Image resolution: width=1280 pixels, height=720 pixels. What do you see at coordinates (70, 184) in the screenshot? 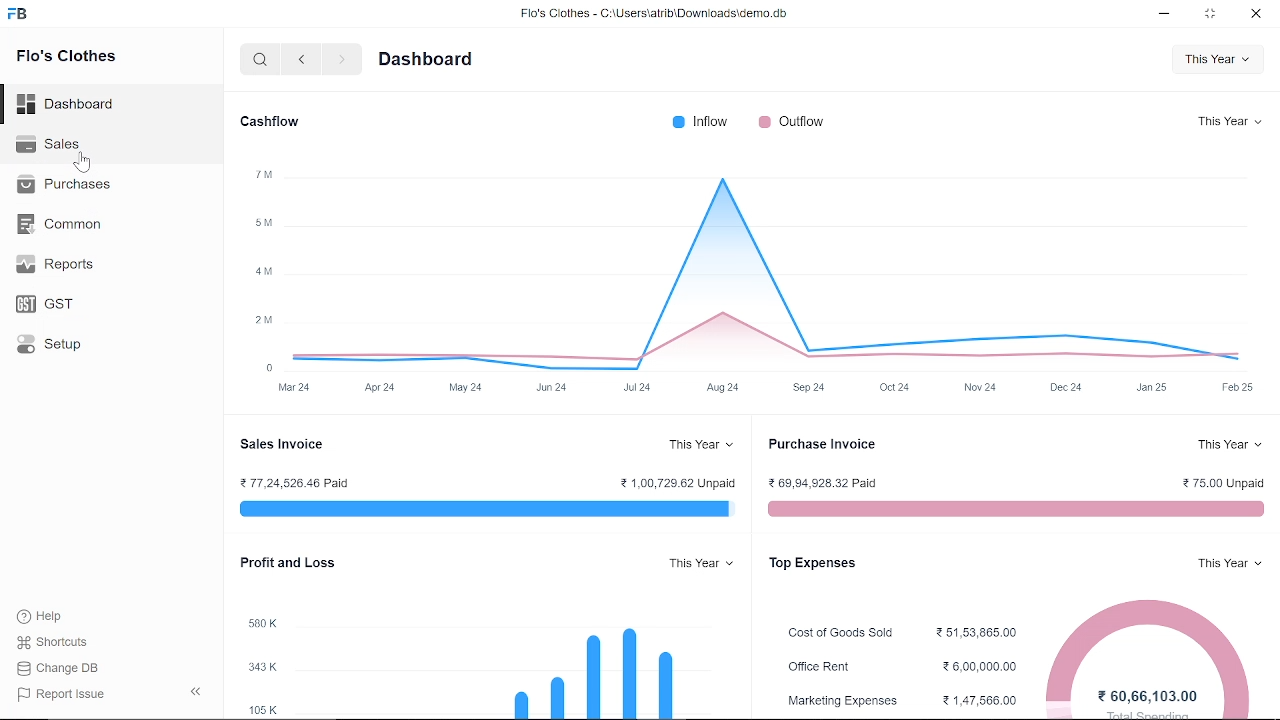
I see `Purchases` at bounding box center [70, 184].